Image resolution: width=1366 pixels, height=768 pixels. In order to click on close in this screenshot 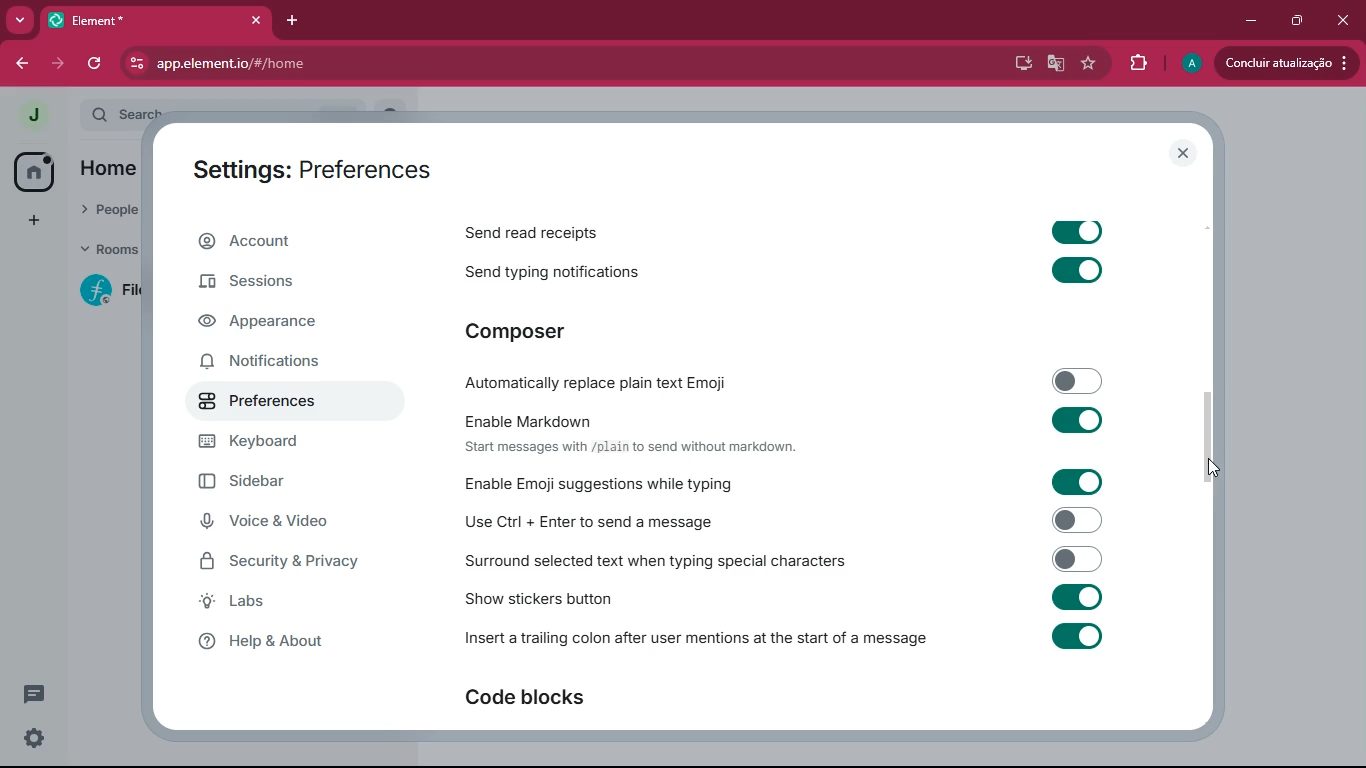, I will do `click(1345, 21)`.